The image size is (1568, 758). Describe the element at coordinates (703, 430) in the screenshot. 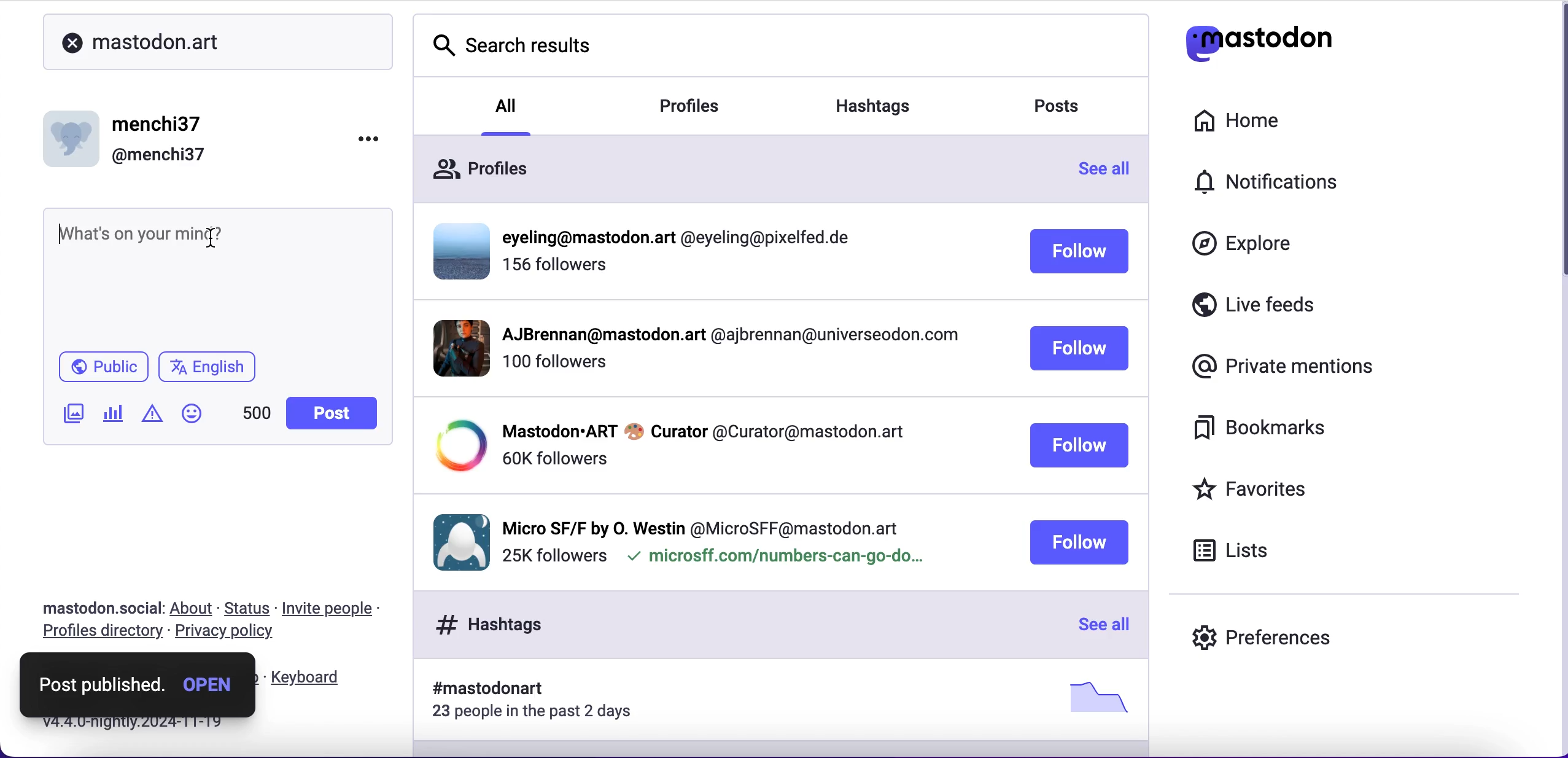

I see `profile` at that location.